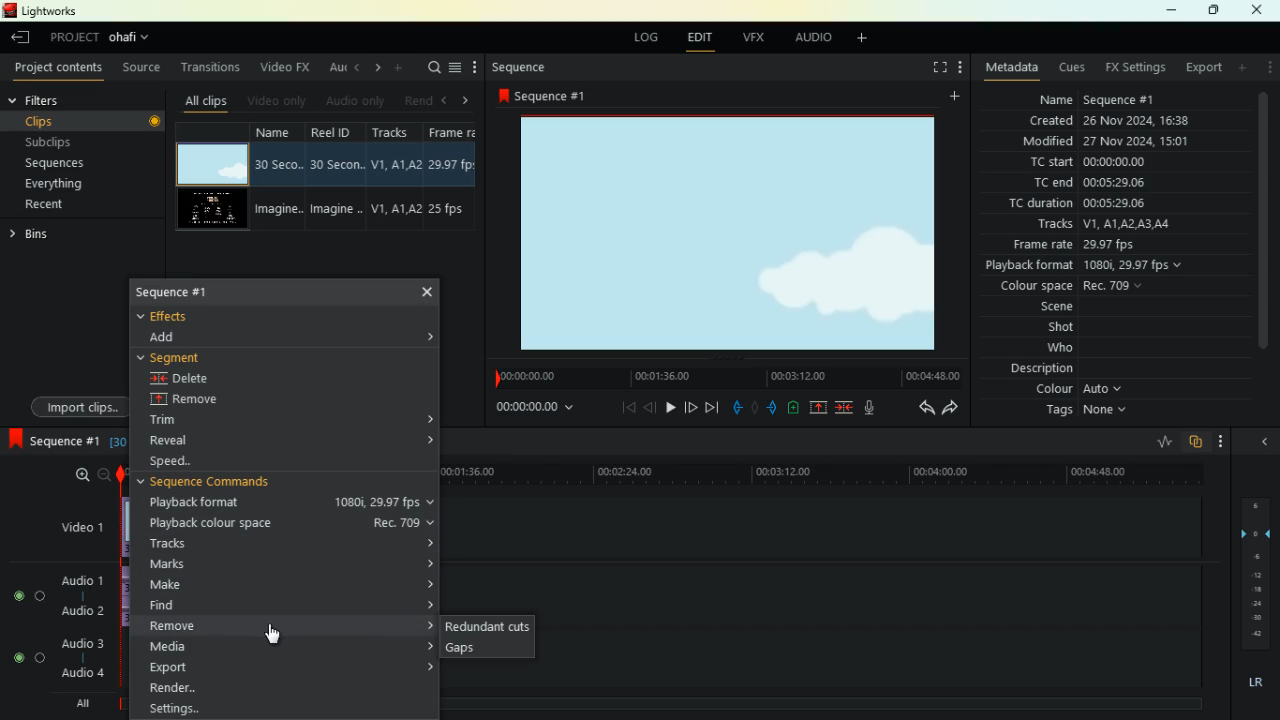 This screenshot has height=720, width=1280. I want to click on audio 2, so click(81, 615).